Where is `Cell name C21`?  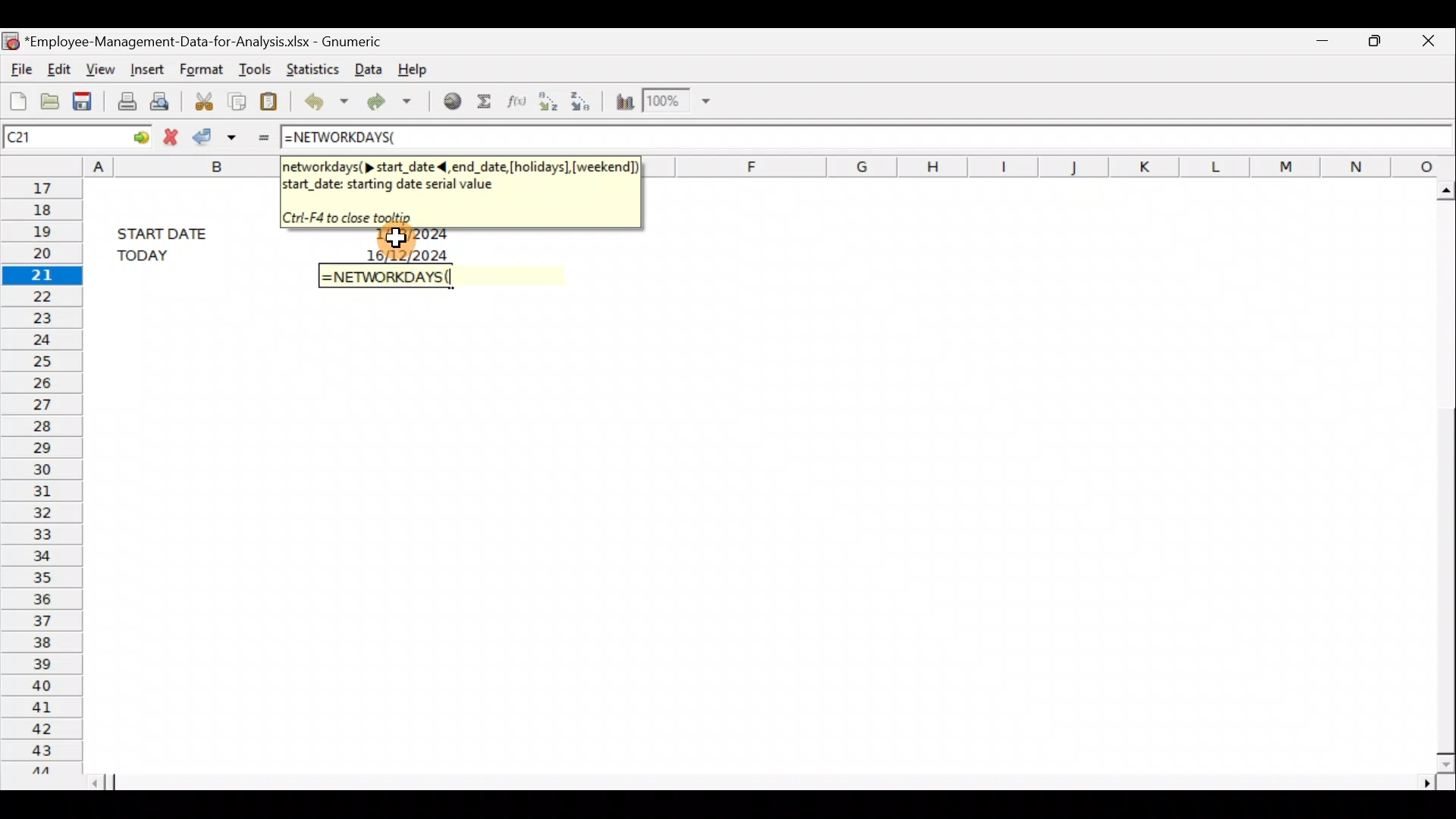 Cell name C21 is located at coordinates (49, 136).